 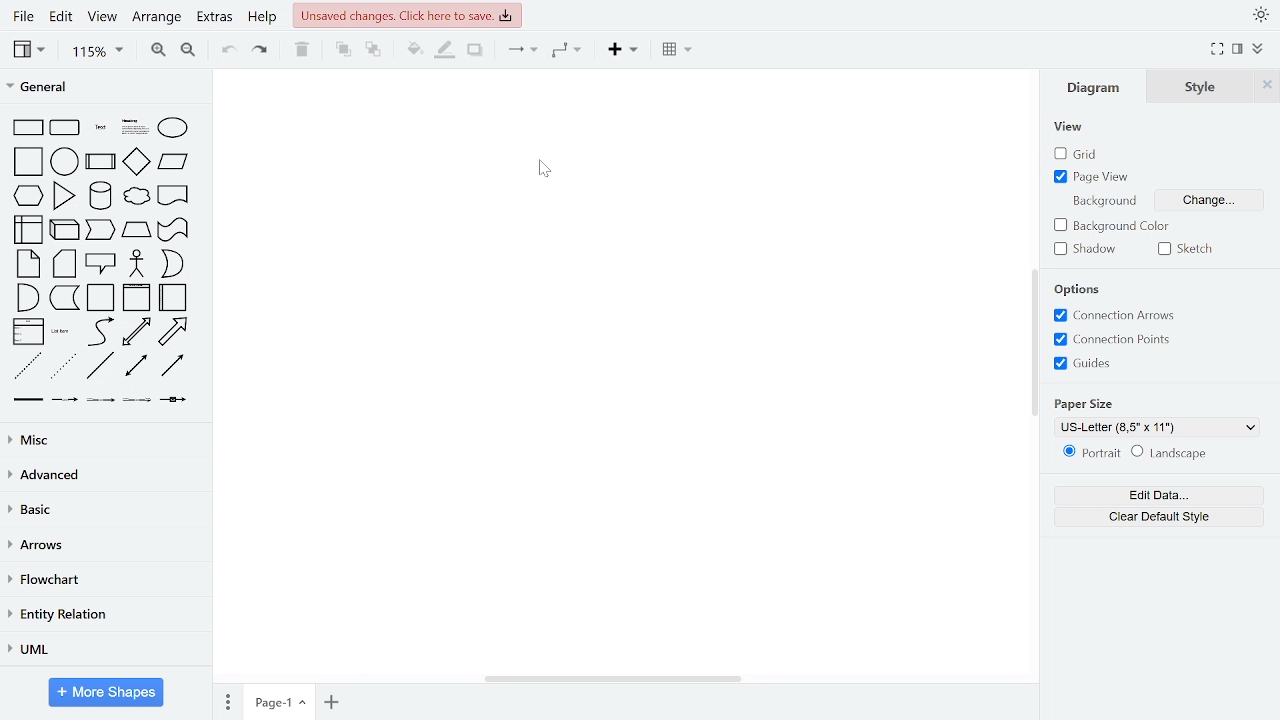 What do you see at coordinates (66, 298) in the screenshot?
I see `data storage` at bounding box center [66, 298].